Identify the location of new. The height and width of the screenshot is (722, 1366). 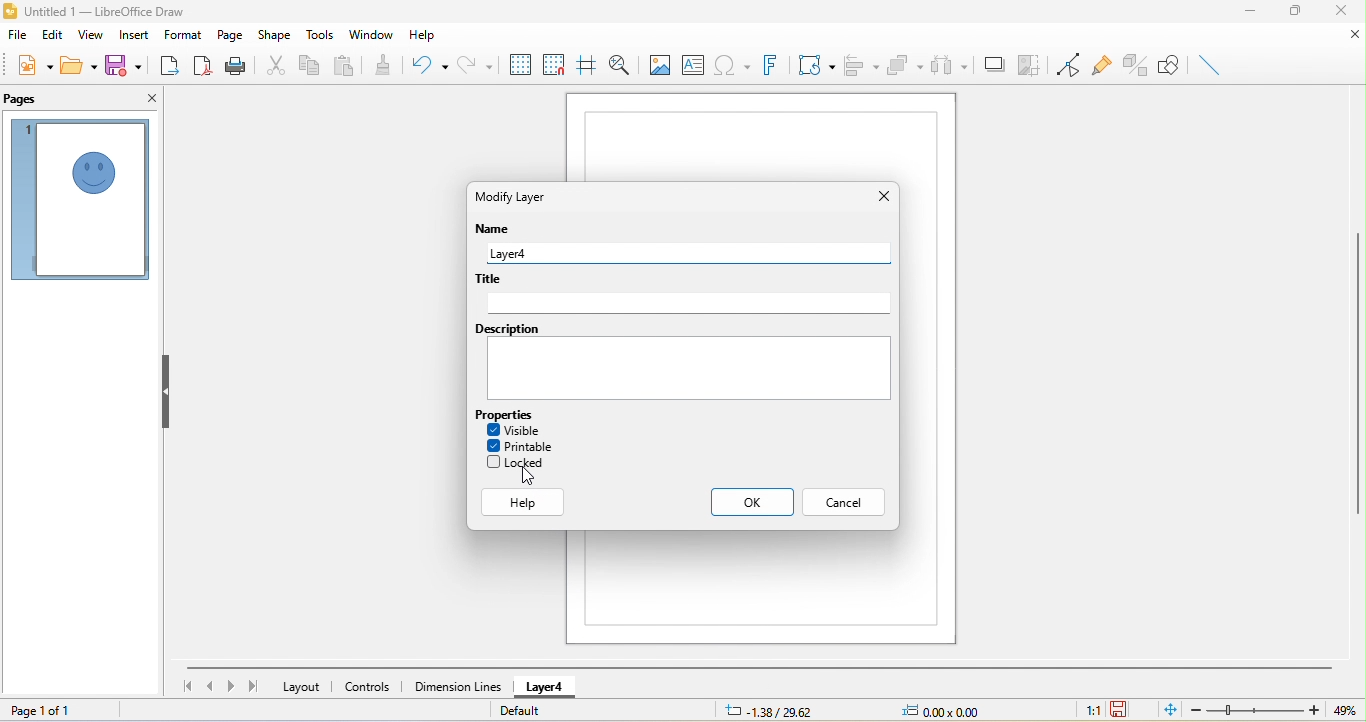
(34, 68).